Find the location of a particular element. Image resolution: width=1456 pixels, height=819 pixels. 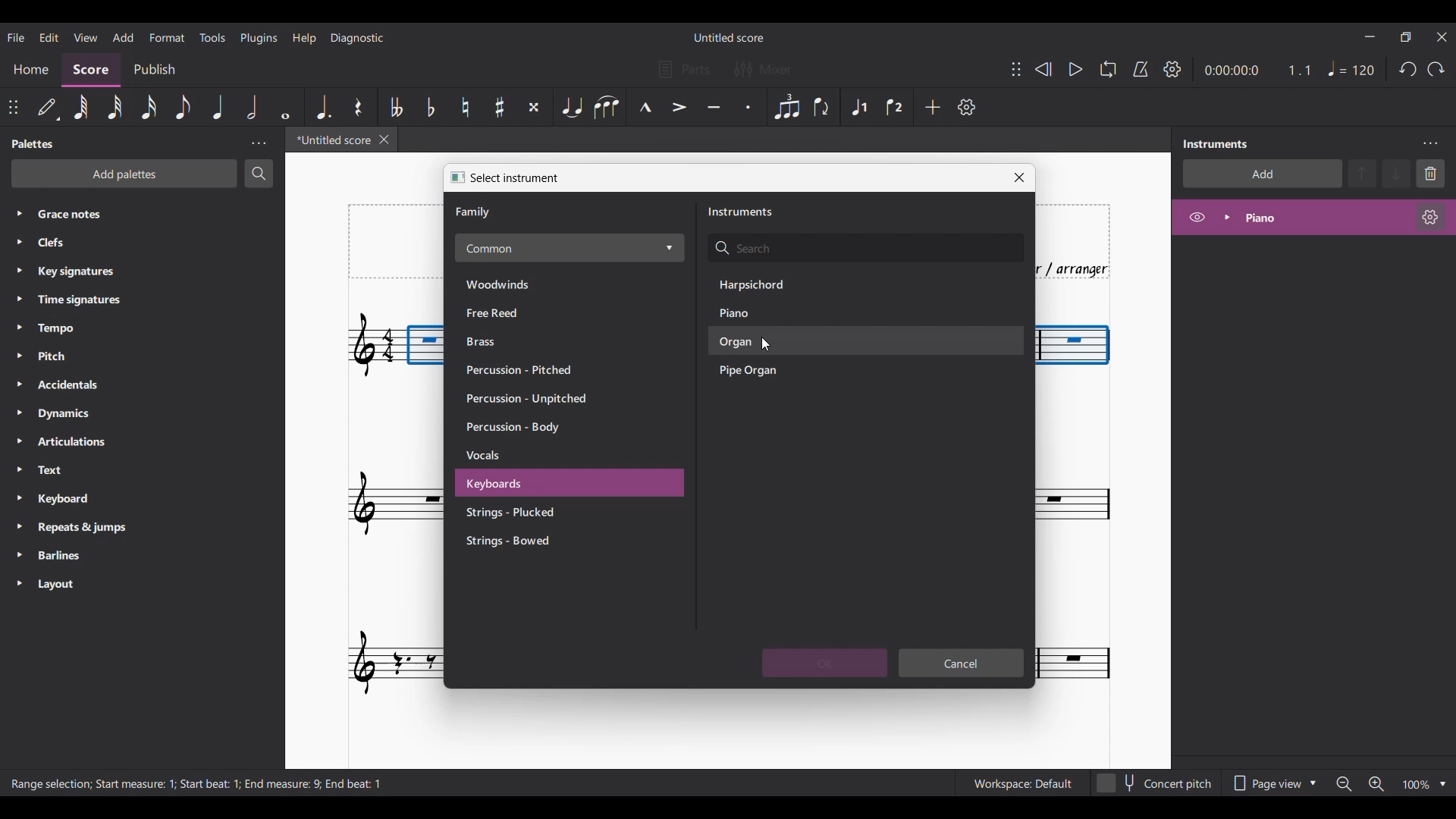

Add instrument is located at coordinates (1263, 174).